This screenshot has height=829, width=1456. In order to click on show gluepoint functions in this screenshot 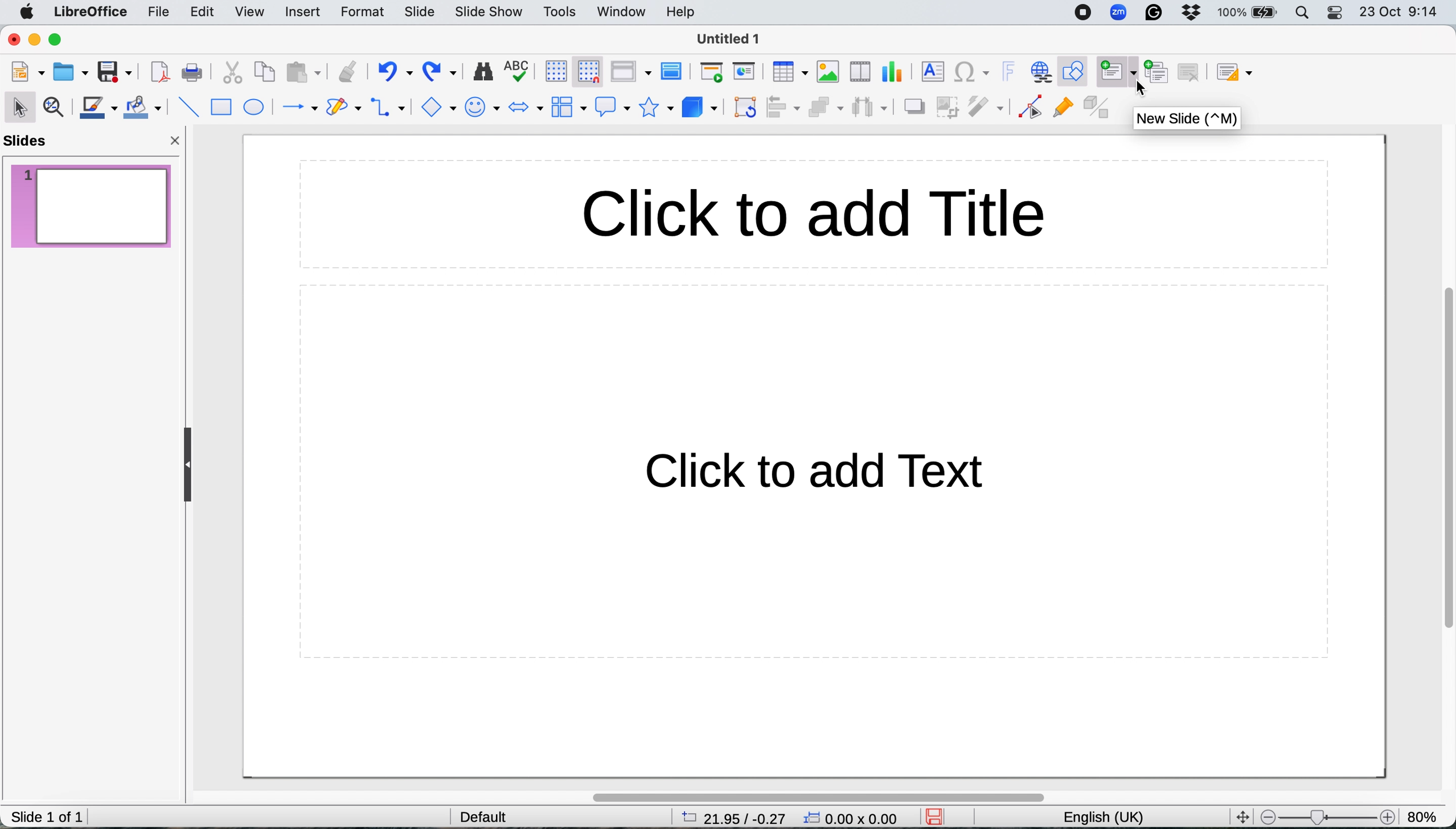, I will do `click(1064, 112)`.